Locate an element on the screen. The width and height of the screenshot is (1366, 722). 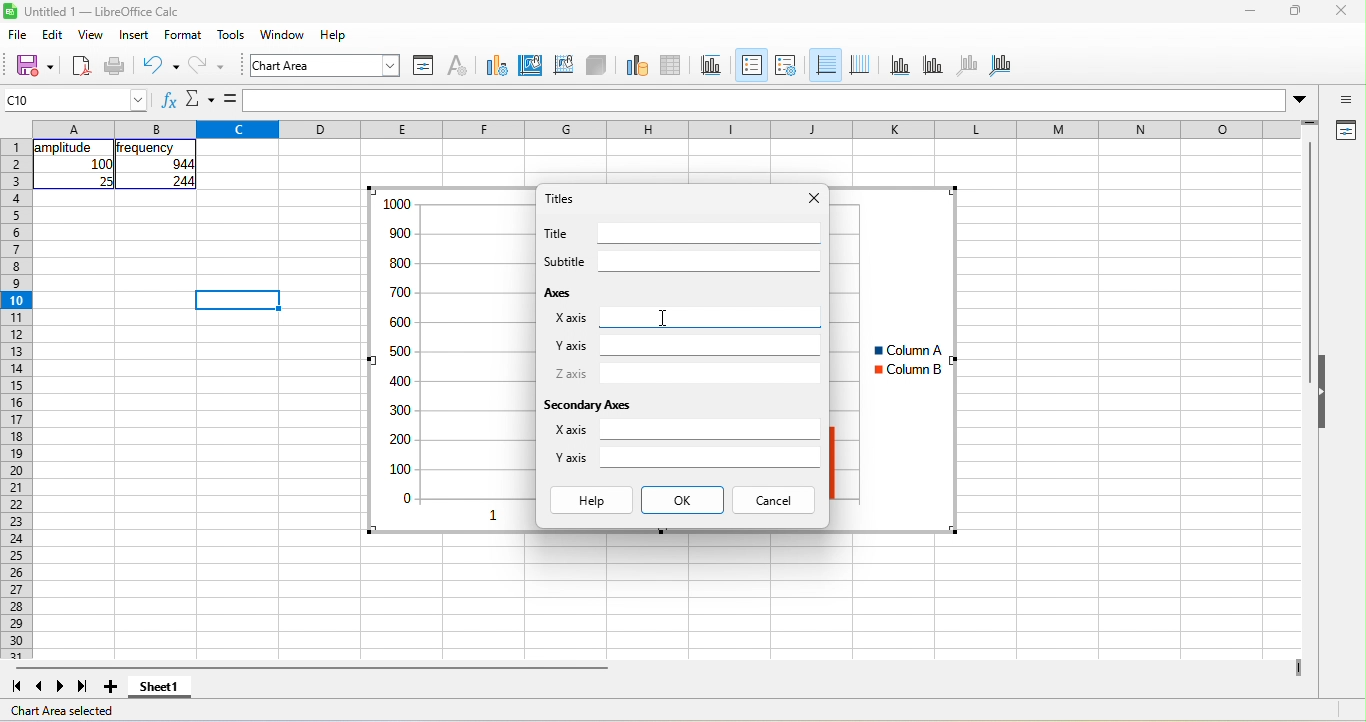
character is located at coordinates (458, 66).